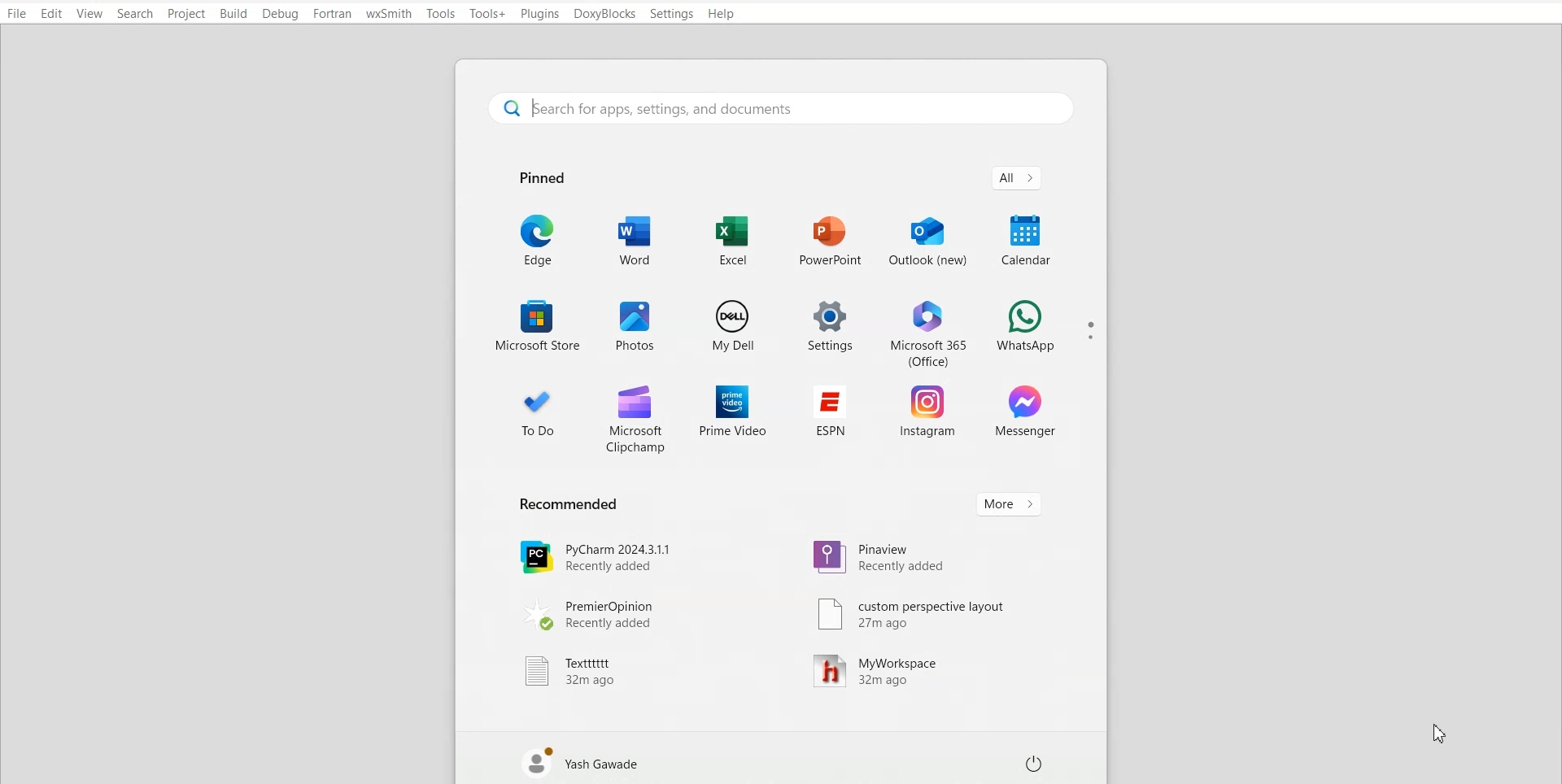 This screenshot has width=1562, height=784. Describe the element at coordinates (732, 241) in the screenshot. I see `Excel` at that location.